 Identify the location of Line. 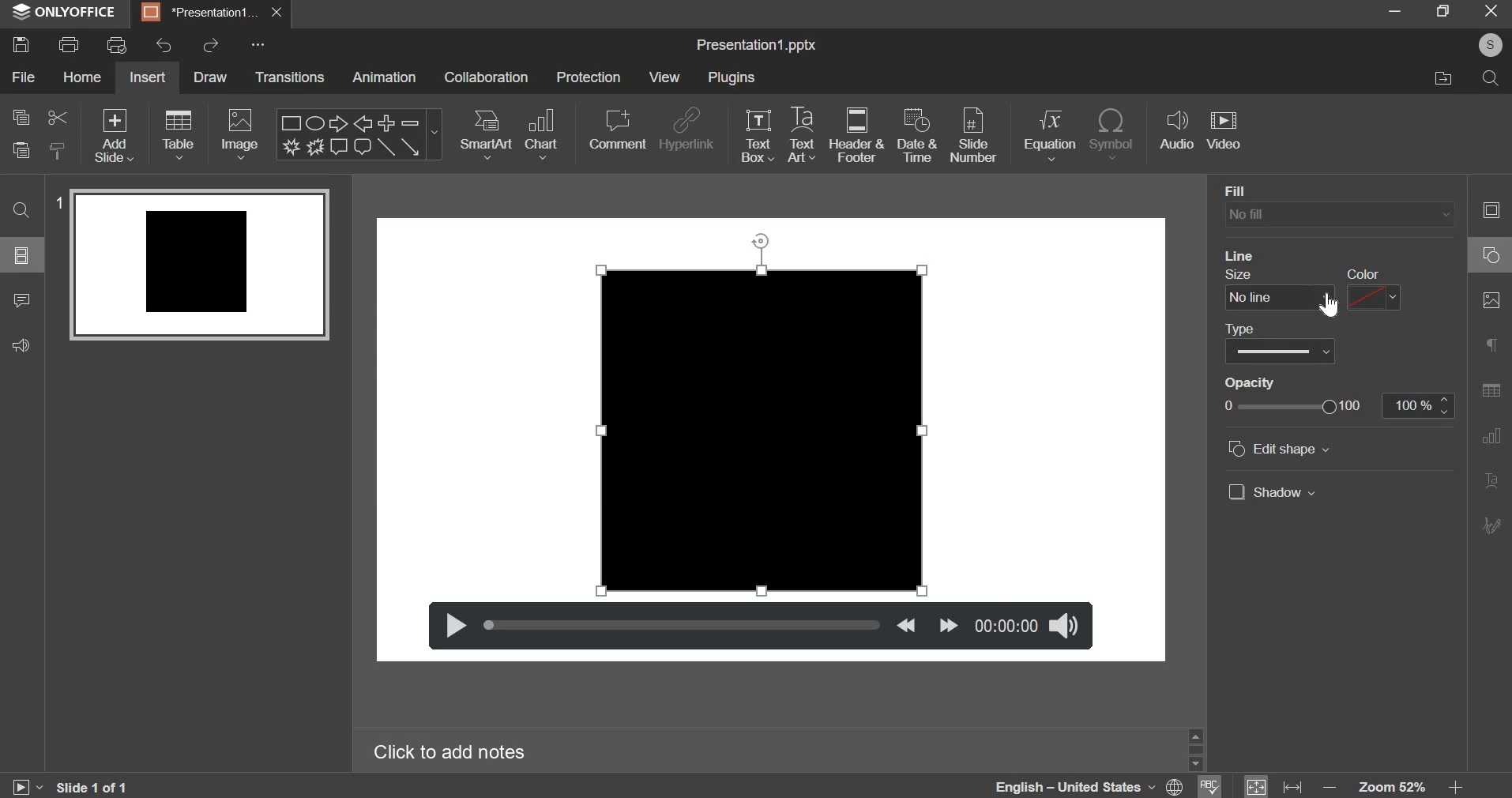
(386, 149).